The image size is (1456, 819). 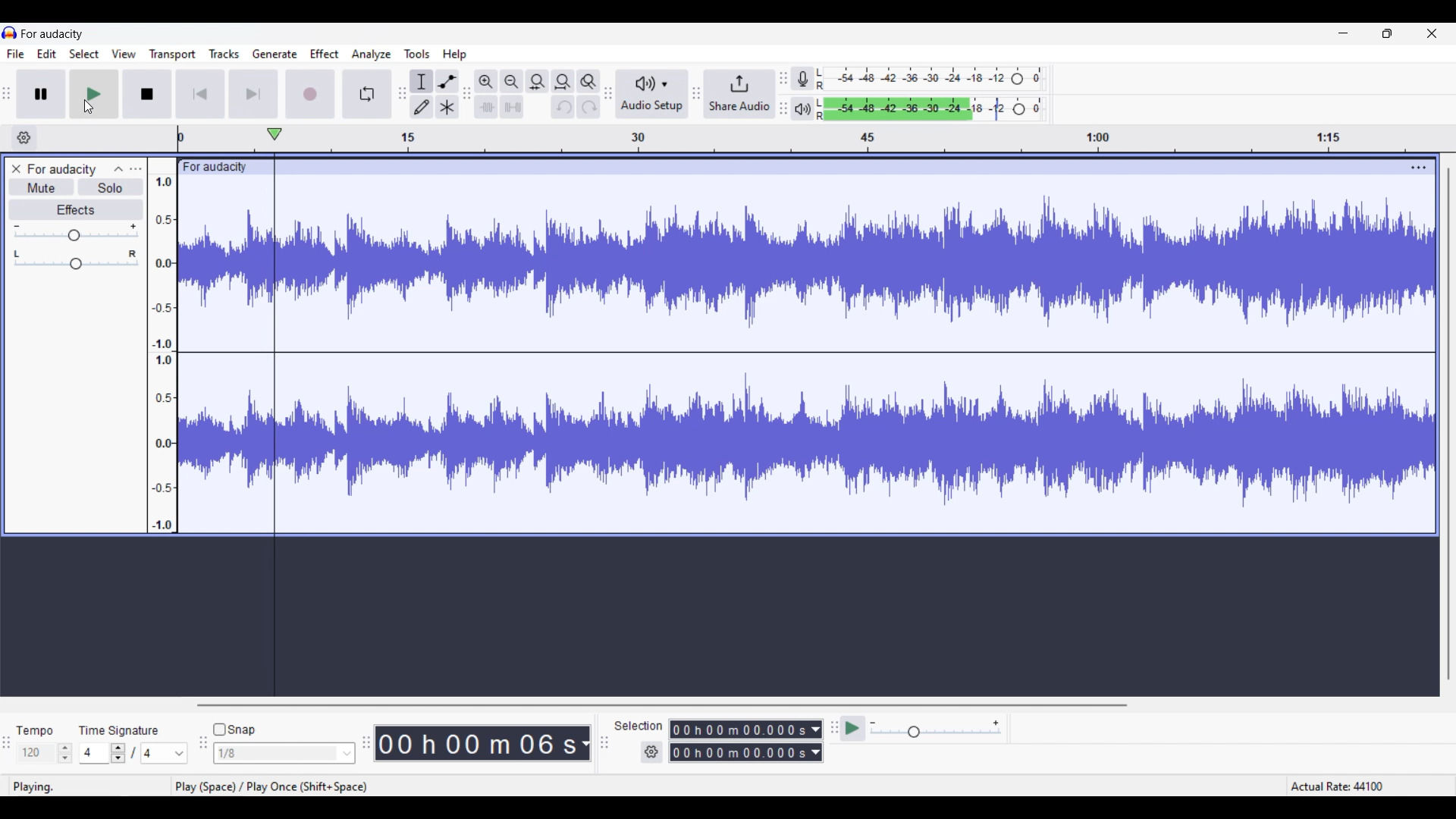 What do you see at coordinates (588, 82) in the screenshot?
I see `Zoom toggle` at bounding box center [588, 82].